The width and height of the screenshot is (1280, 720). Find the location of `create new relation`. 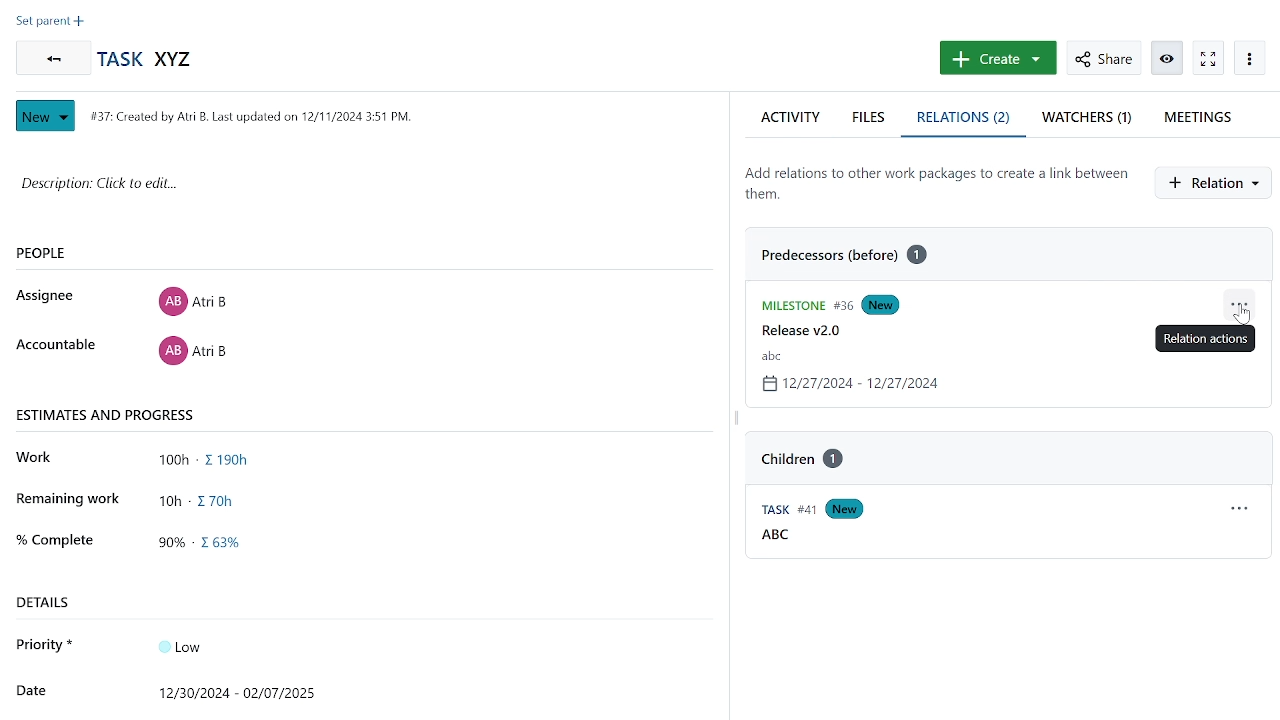

create new relation is located at coordinates (1217, 183).